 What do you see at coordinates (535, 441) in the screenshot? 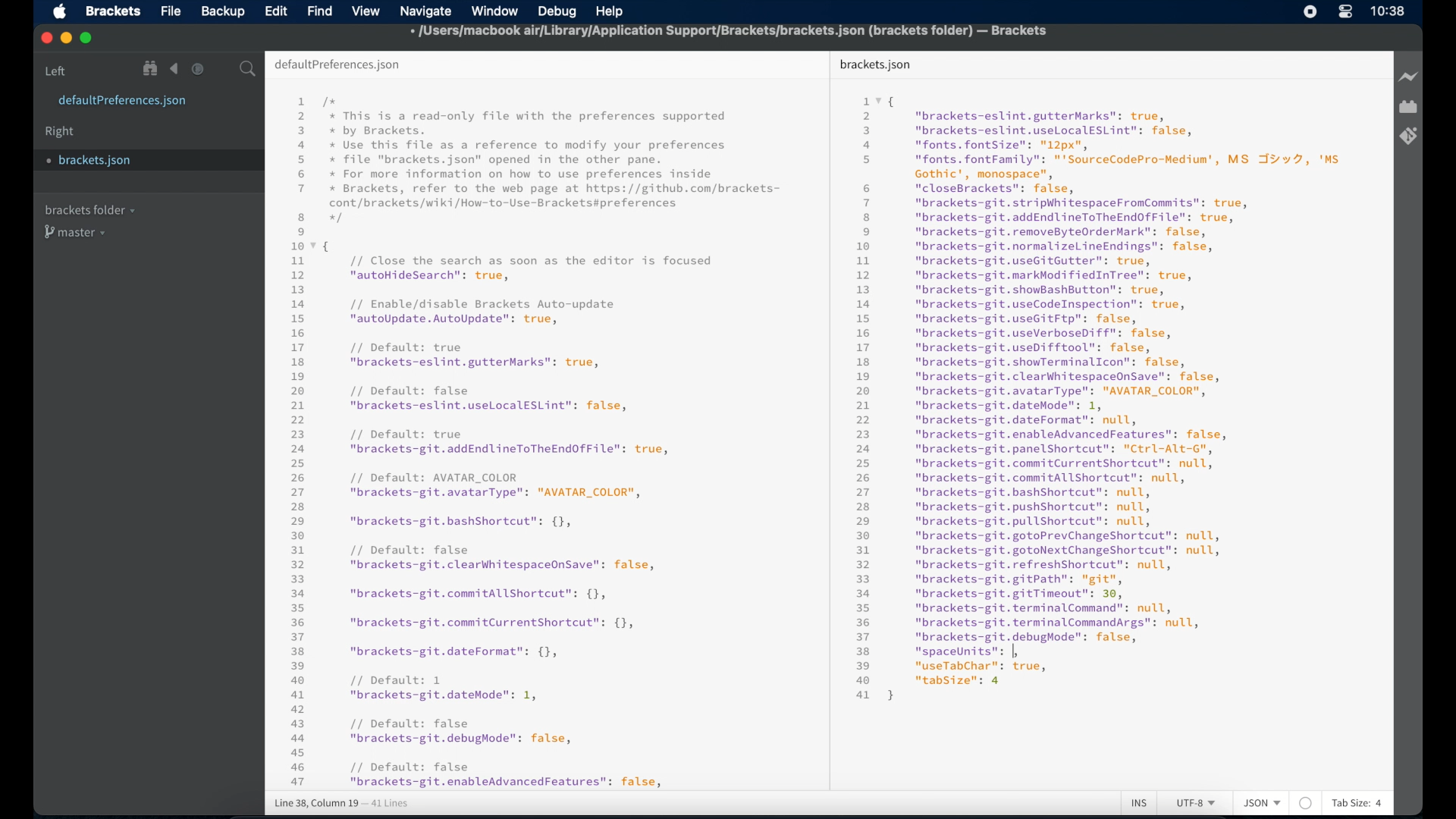
I see `json syntax` at bounding box center [535, 441].